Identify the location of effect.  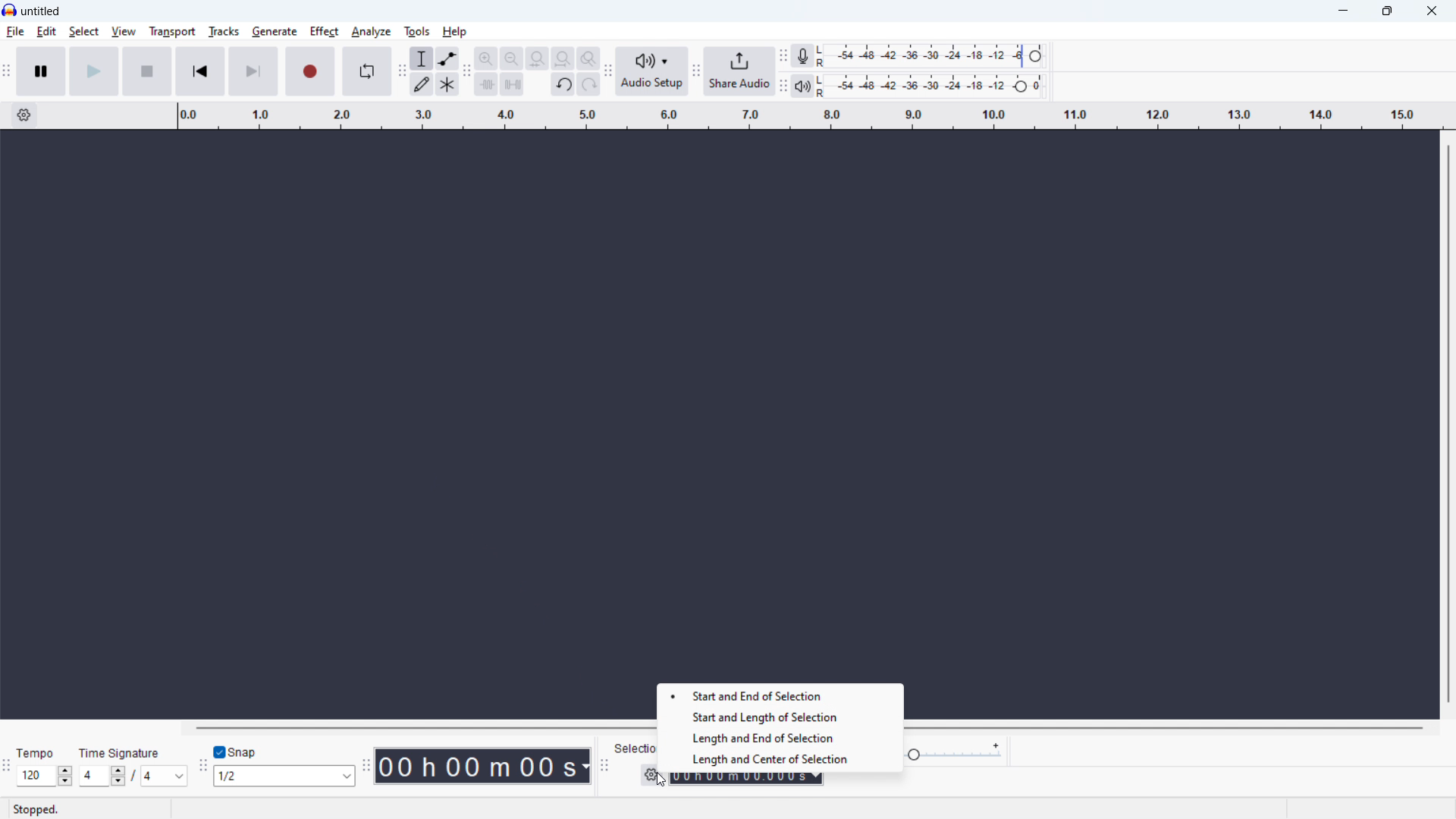
(324, 32).